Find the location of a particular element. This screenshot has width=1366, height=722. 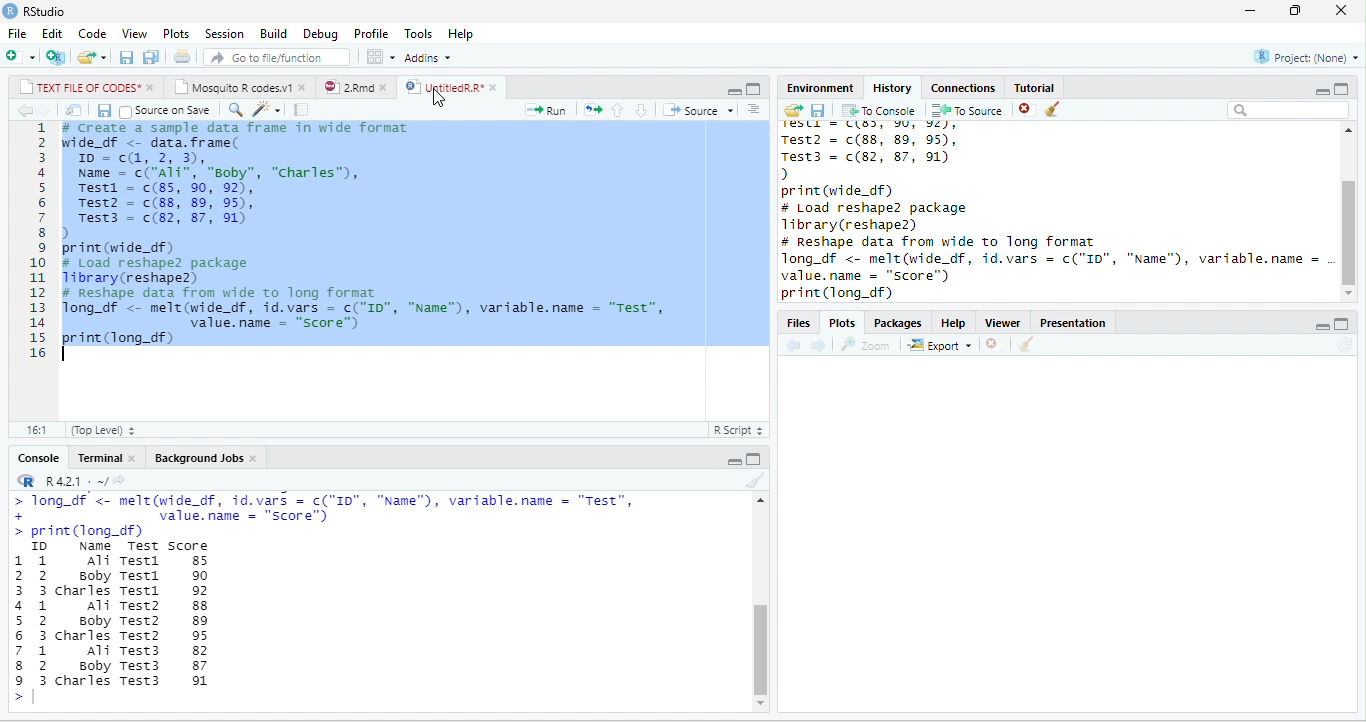

RStudio is located at coordinates (46, 12).